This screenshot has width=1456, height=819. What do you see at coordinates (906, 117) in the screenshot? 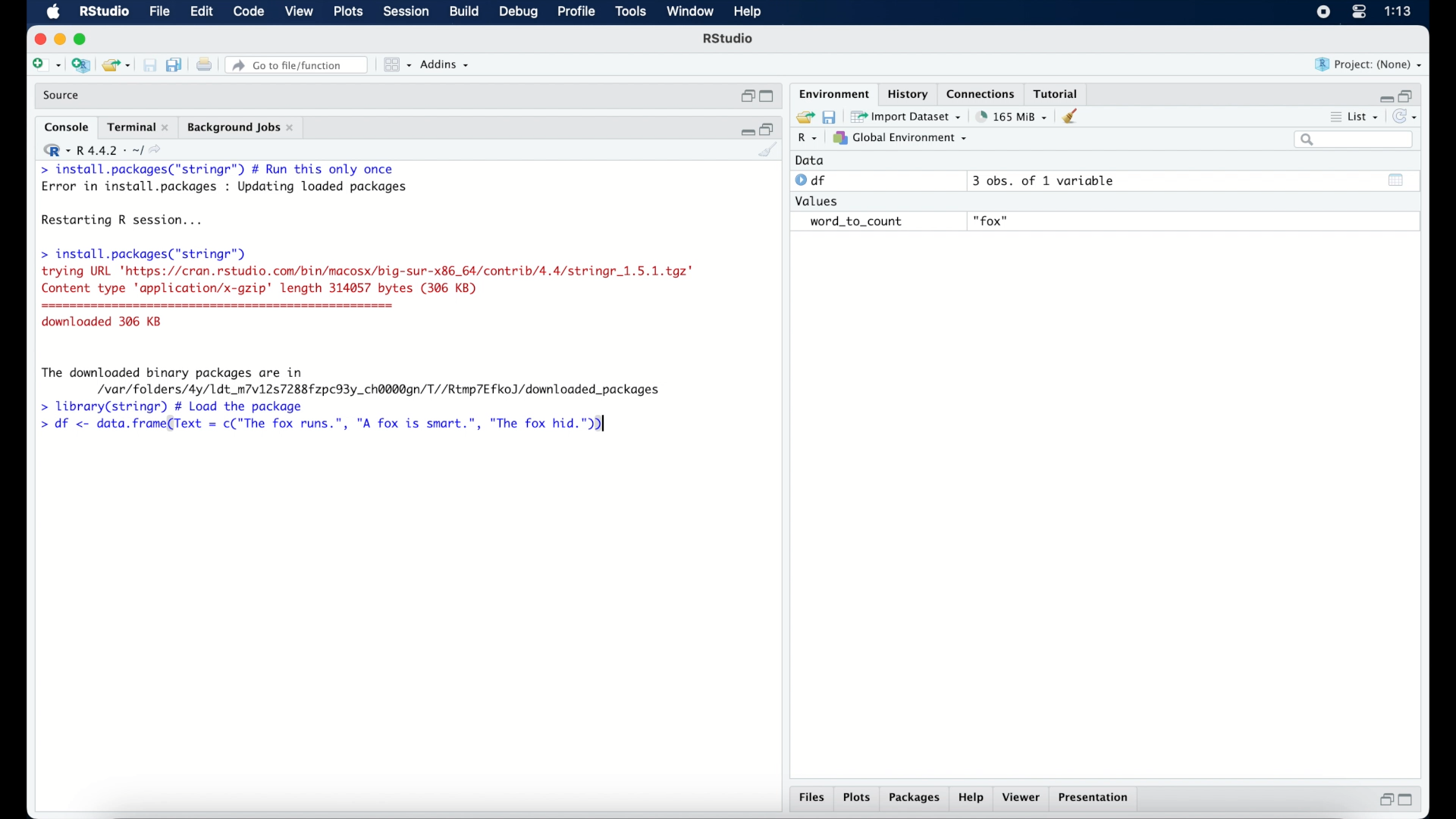
I see `import dataset` at bounding box center [906, 117].